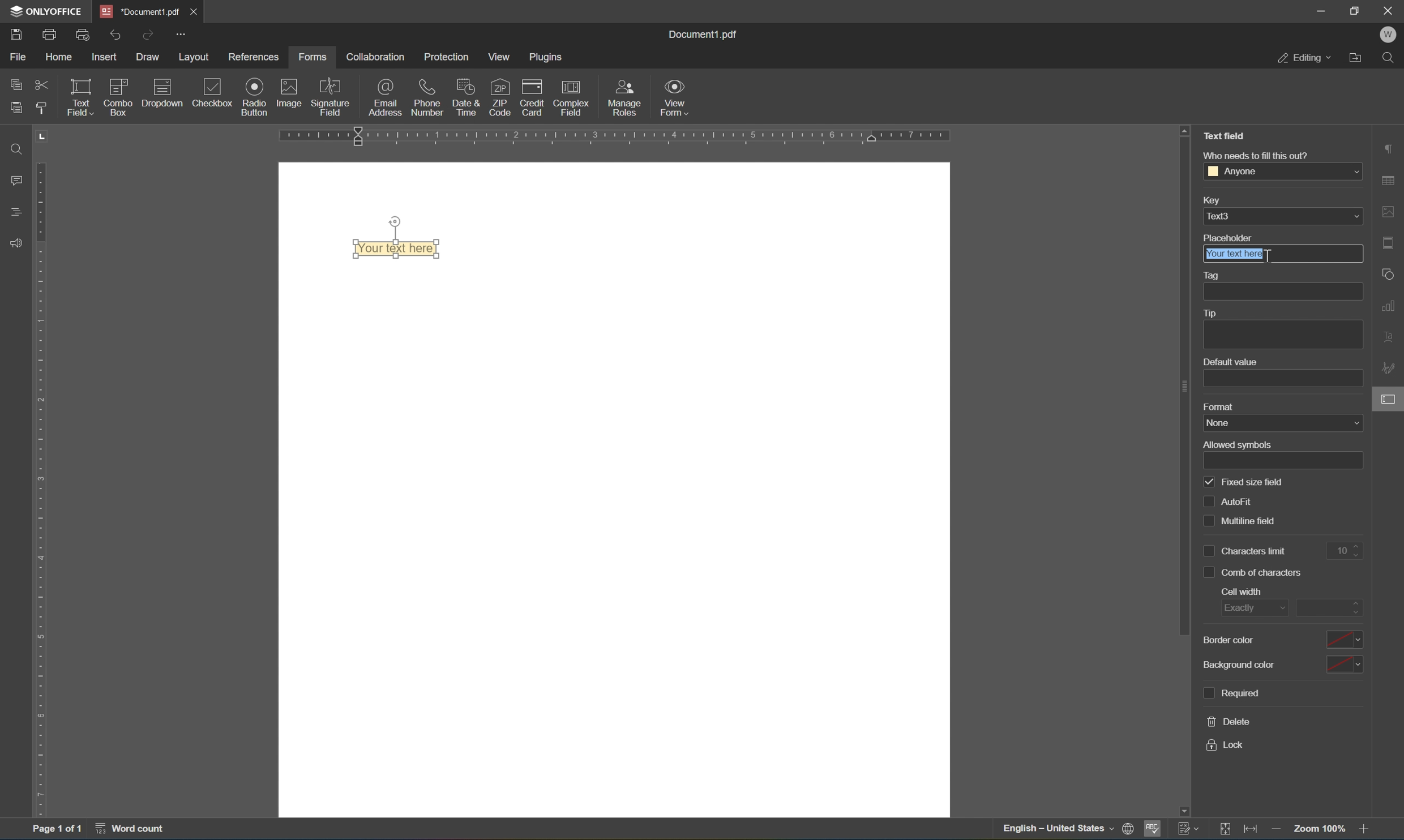 This screenshot has height=840, width=1404. What do you see at coordinates (1225, 138) in the screenshot?
I see `Text field` at bounding box center [1225, 138].